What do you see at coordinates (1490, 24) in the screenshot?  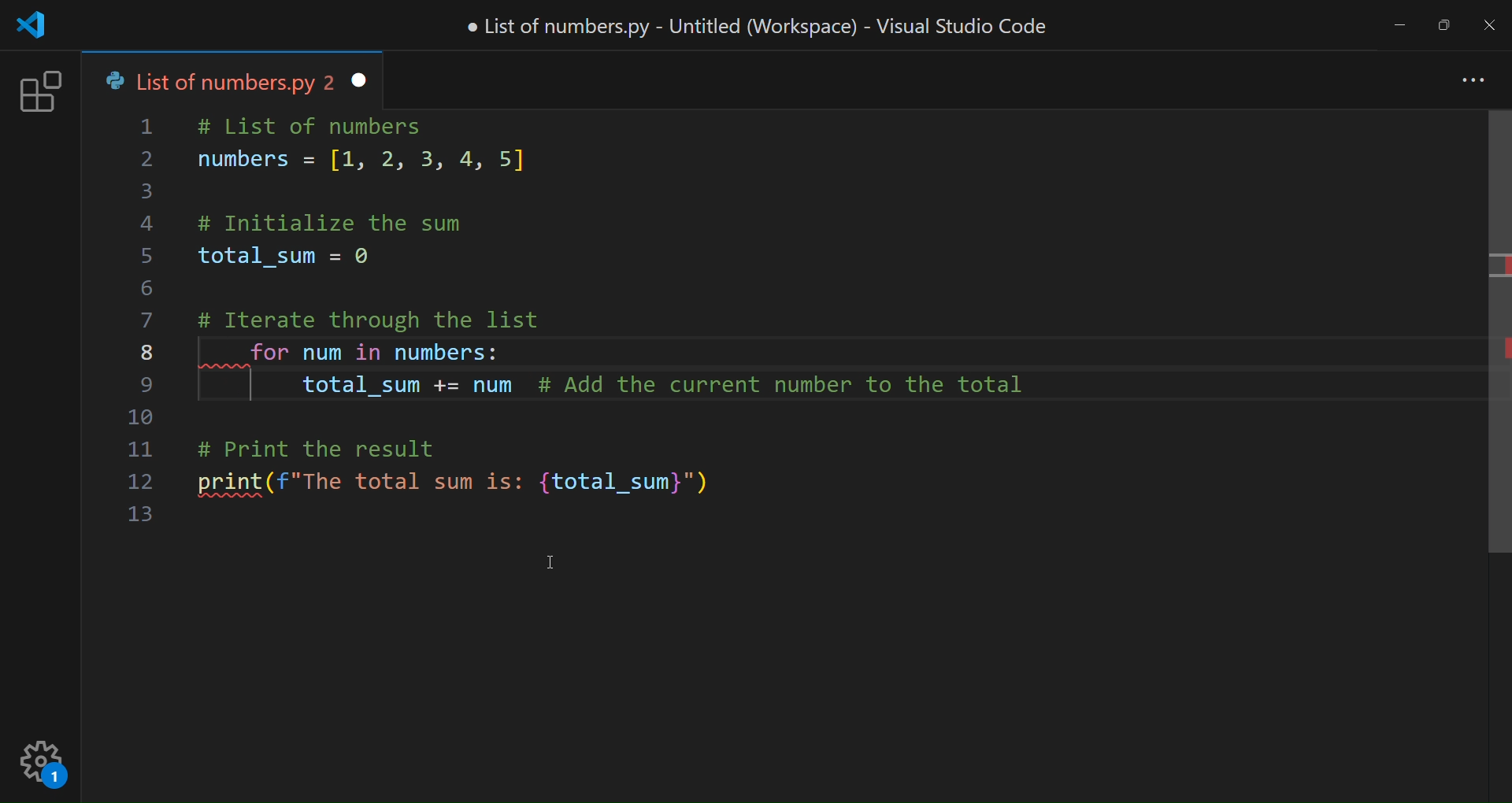 I see `close` at bounding box center [1490, 24].